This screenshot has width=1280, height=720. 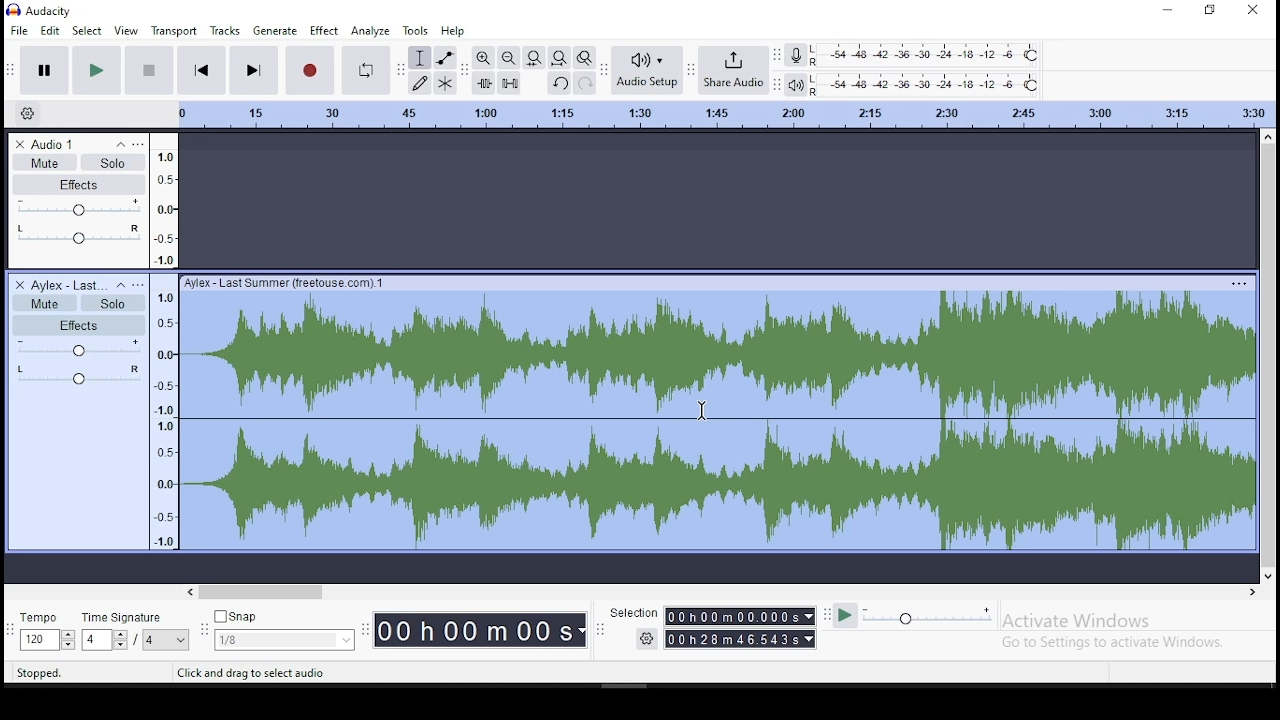 What do you see at coordinates (83, 185) in the screenshot?
I see `effects` at bounding box center [83, 185].